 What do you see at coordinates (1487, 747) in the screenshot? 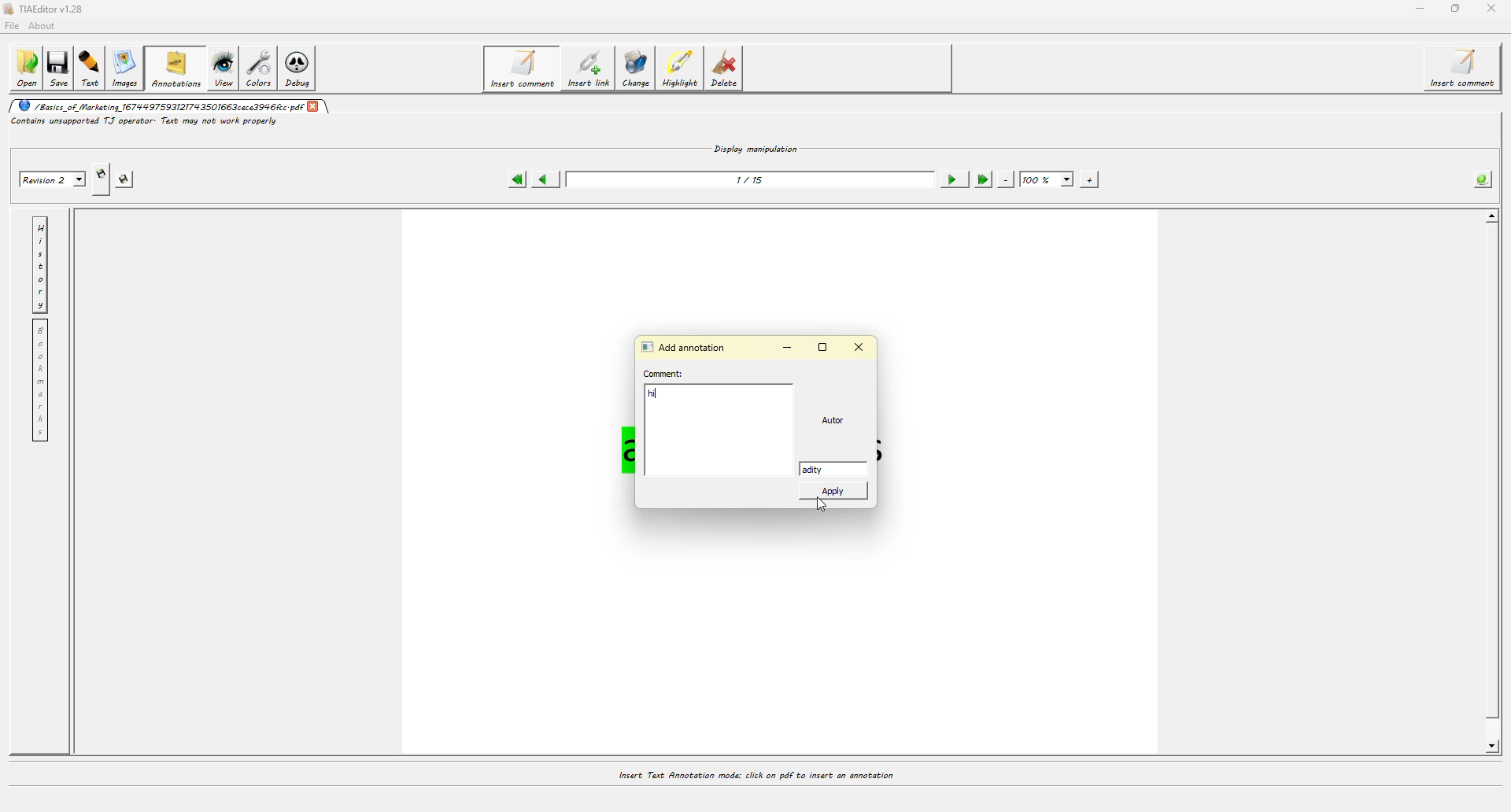
I see `scroll down` at bounding box center [1487, 747].